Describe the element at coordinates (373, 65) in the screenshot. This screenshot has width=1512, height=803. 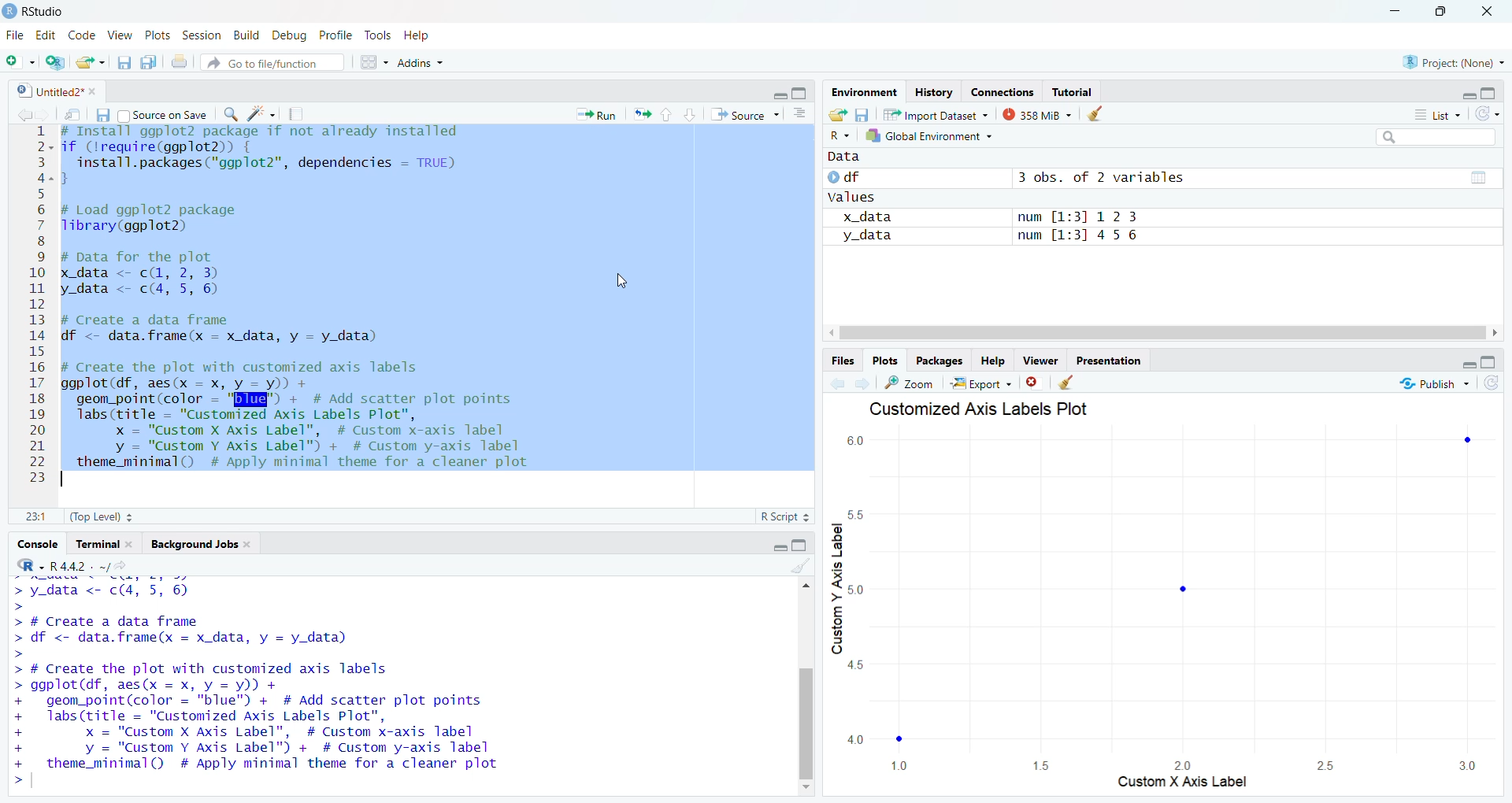
I see `grid` at that location.